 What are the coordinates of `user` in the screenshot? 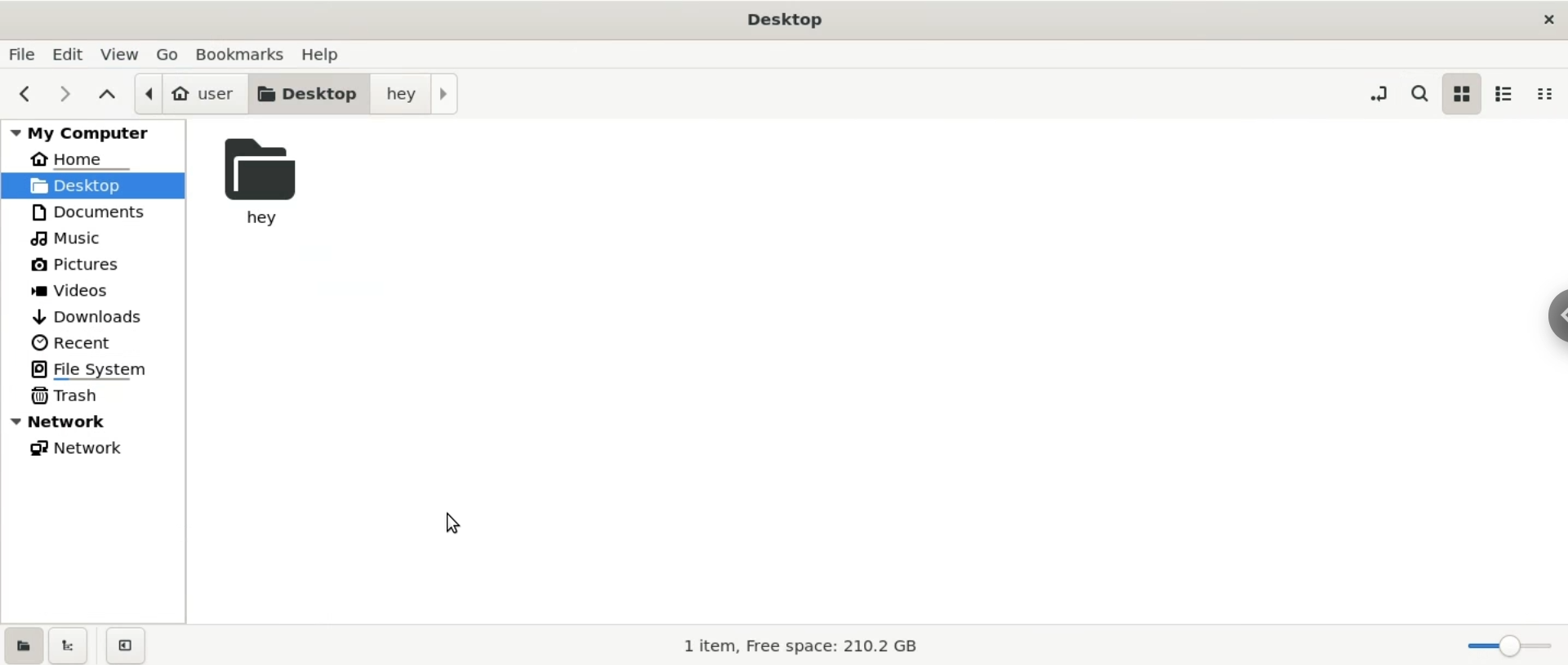 It's located at (194, 92).